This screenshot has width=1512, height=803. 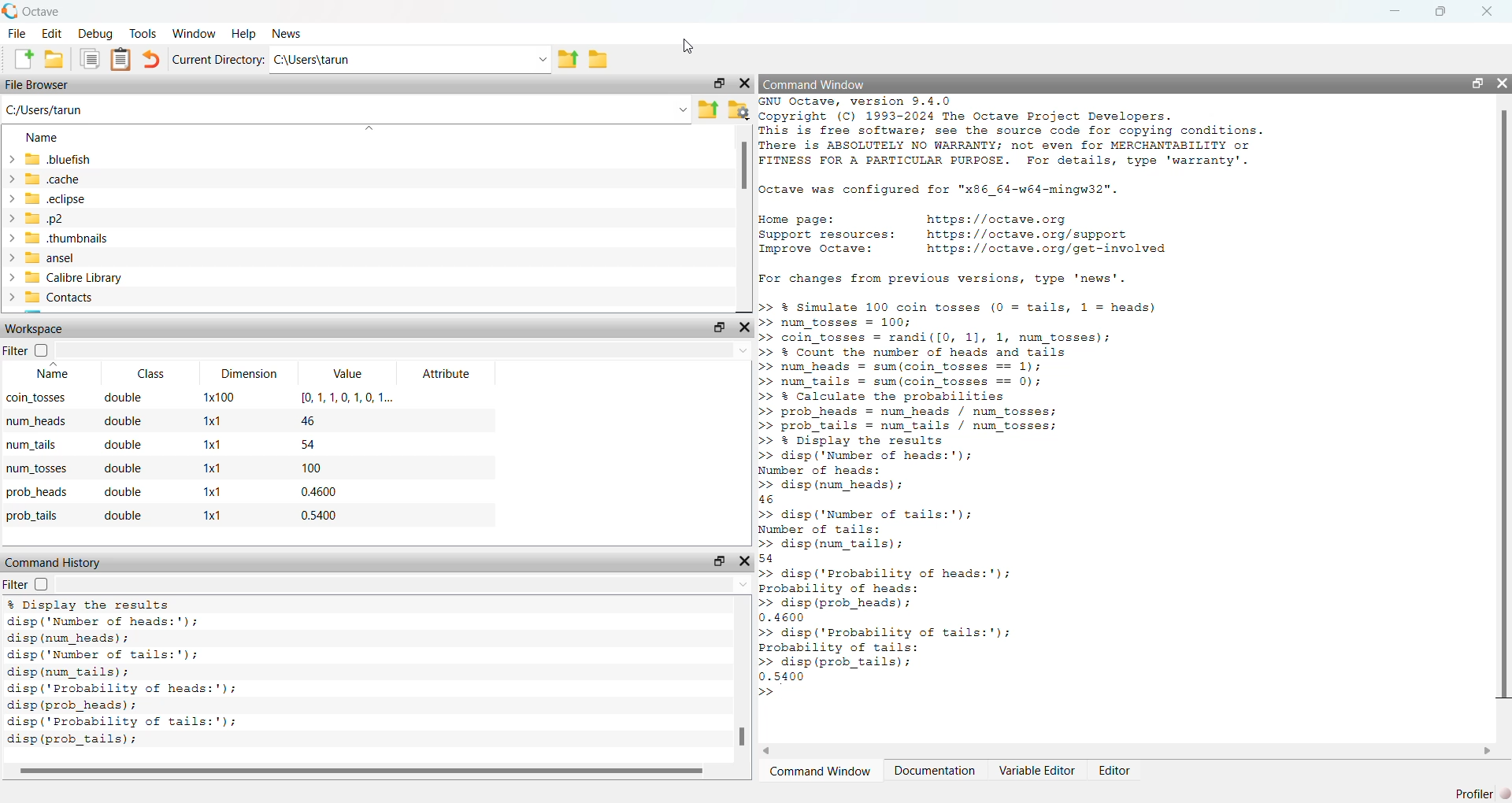 What do you see at coordinates (152, 375) in the screenshot?
I see `Class` at bounding box center [152, 375].